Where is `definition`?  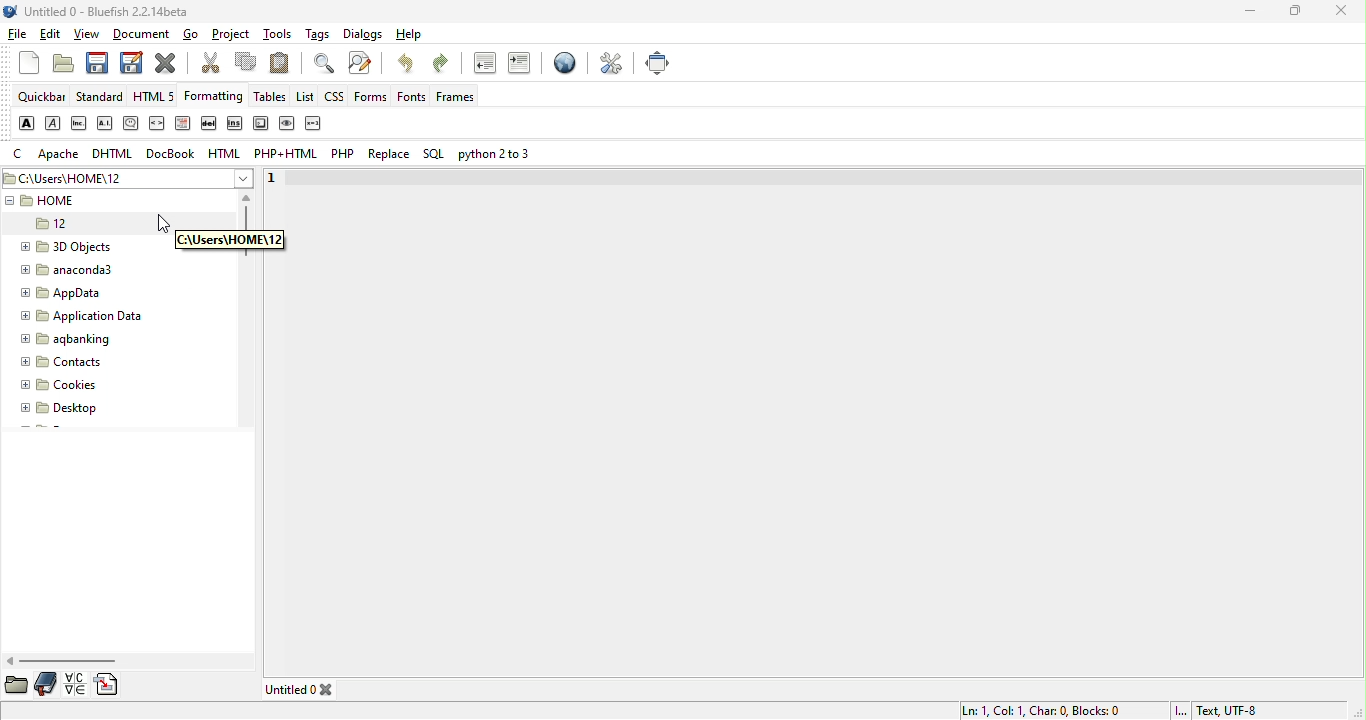
definition is located at coordinates (182, 125).